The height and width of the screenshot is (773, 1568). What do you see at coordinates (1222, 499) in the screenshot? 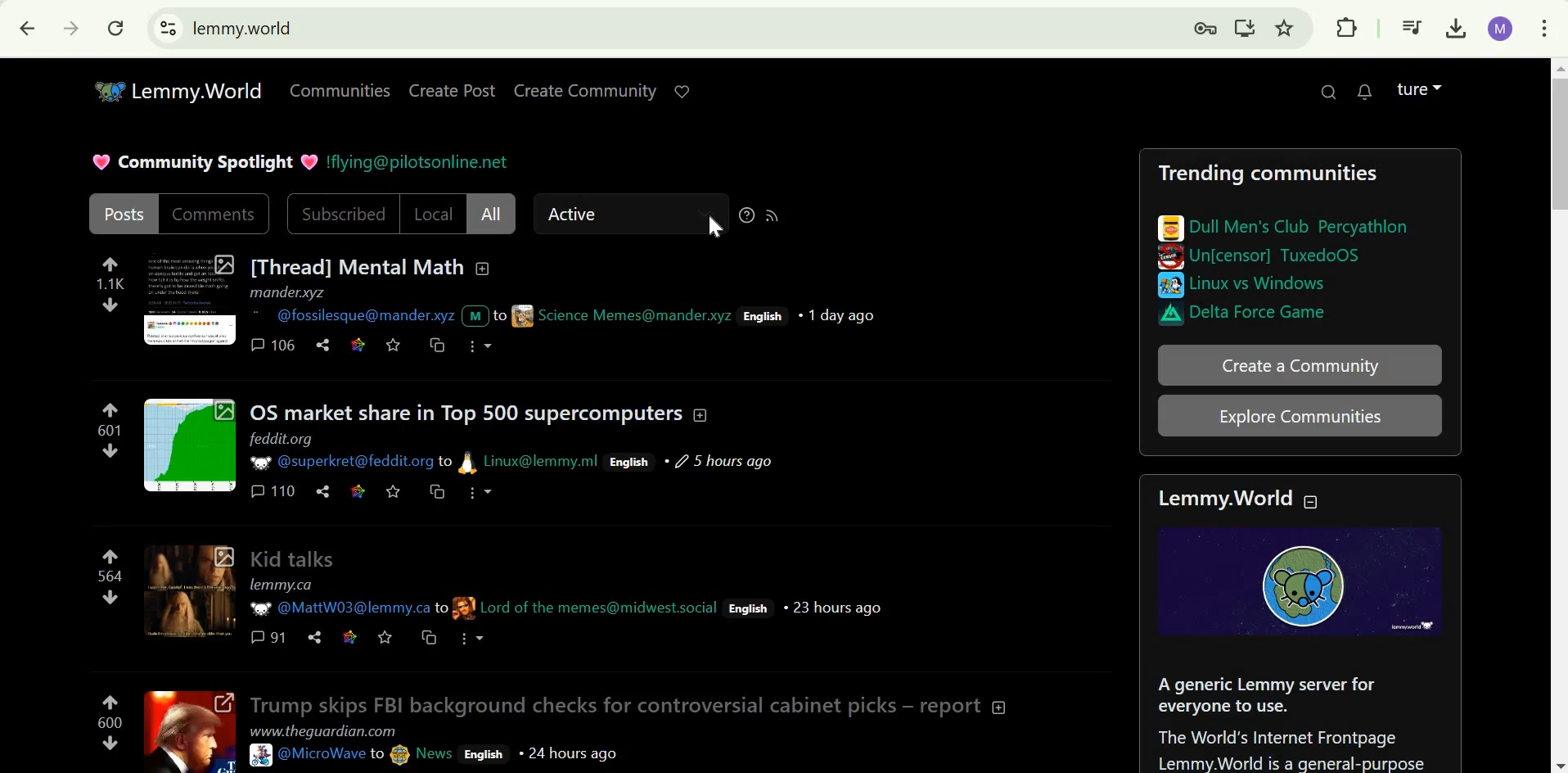
I see `Lemmy.World` at bounding box center [1222, 499].